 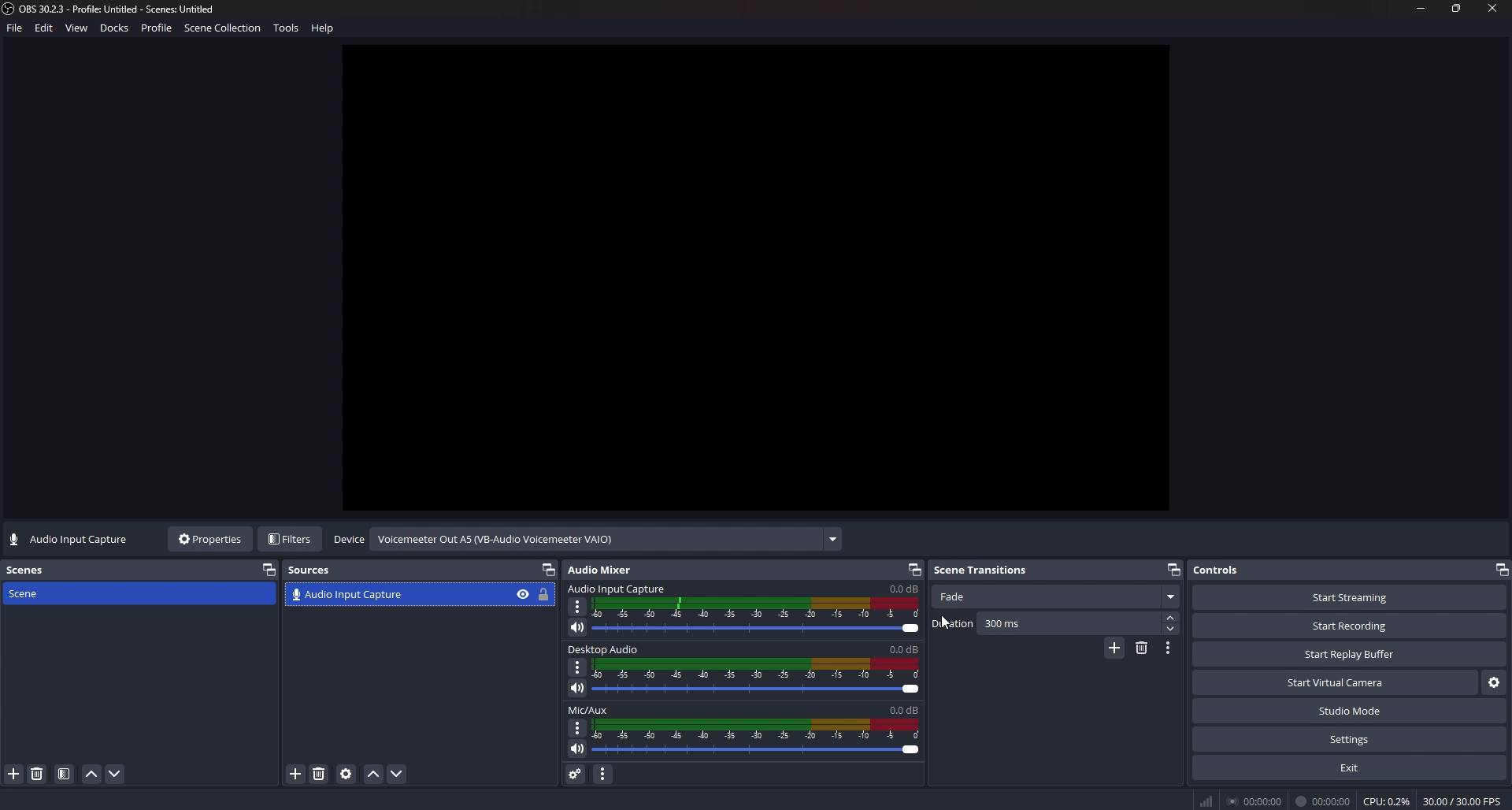 What do you see at coordinates (549, 570) in the screenshot?
I see `pop out` at bounding box center [549, 570].